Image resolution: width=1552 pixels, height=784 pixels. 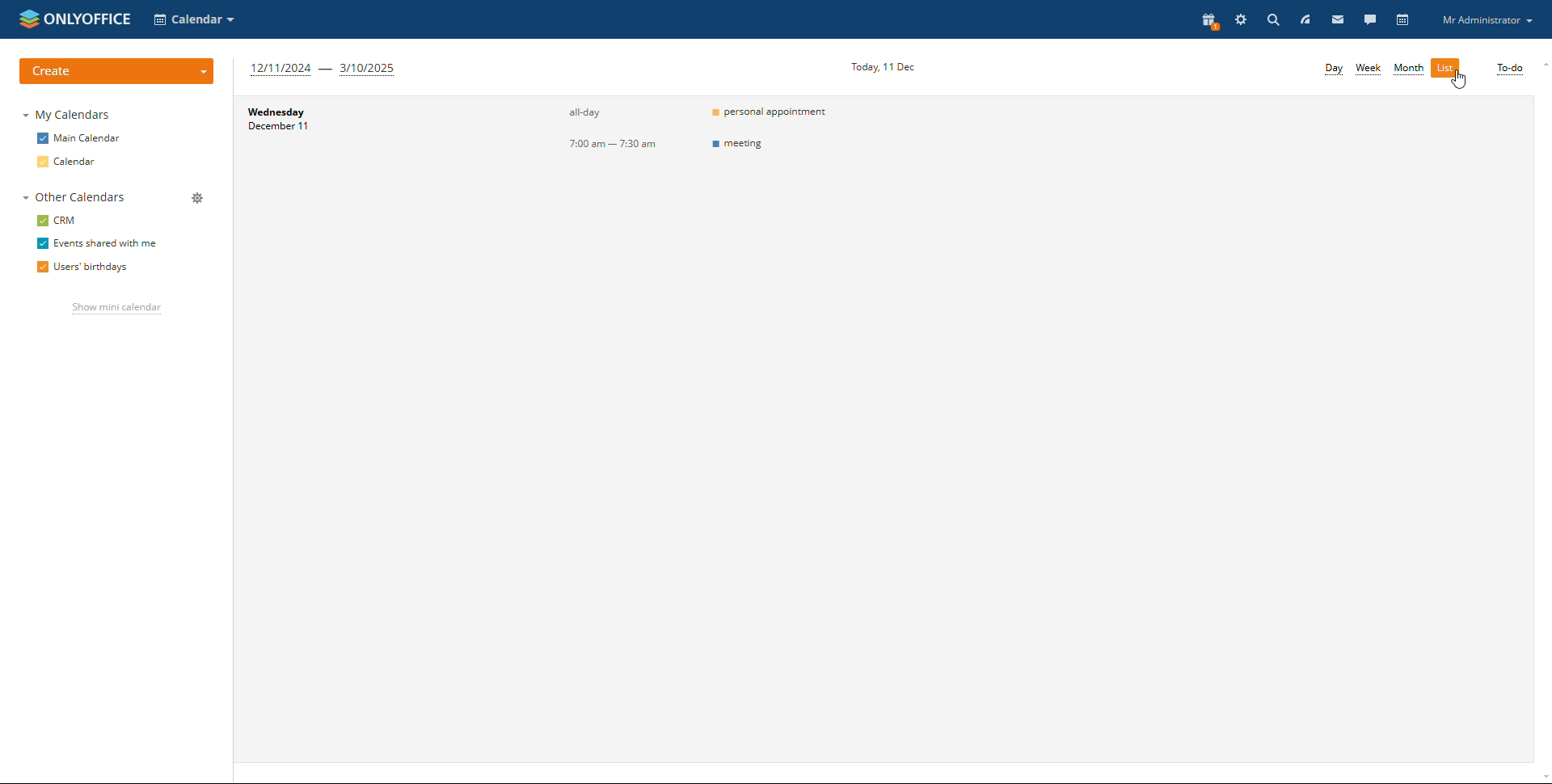 What do you see at coordinates (1408, 69) in the screenshot?
I see `month view` at bounding box center [1408, 69].